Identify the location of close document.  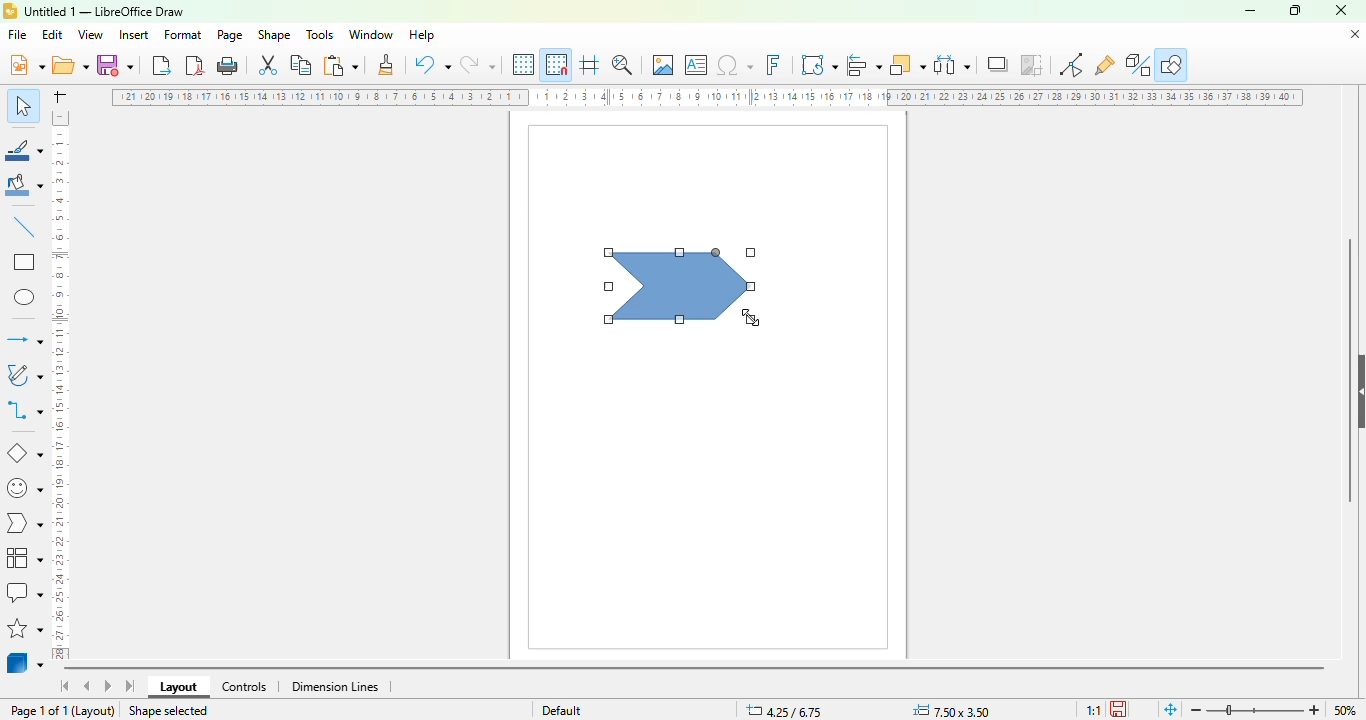
(1355, 35).